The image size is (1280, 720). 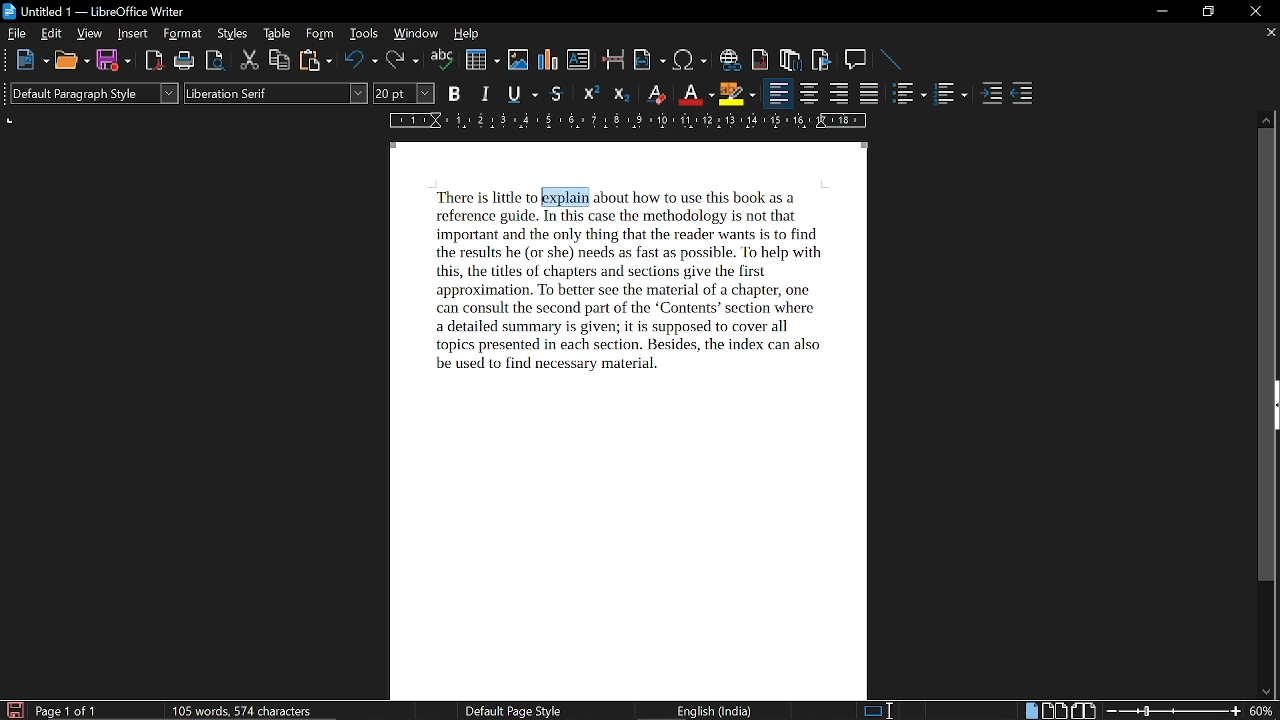 What do you see at coordinates (776, 93) in the screenshot?
I see `align left` at bounding box center [776, 93].